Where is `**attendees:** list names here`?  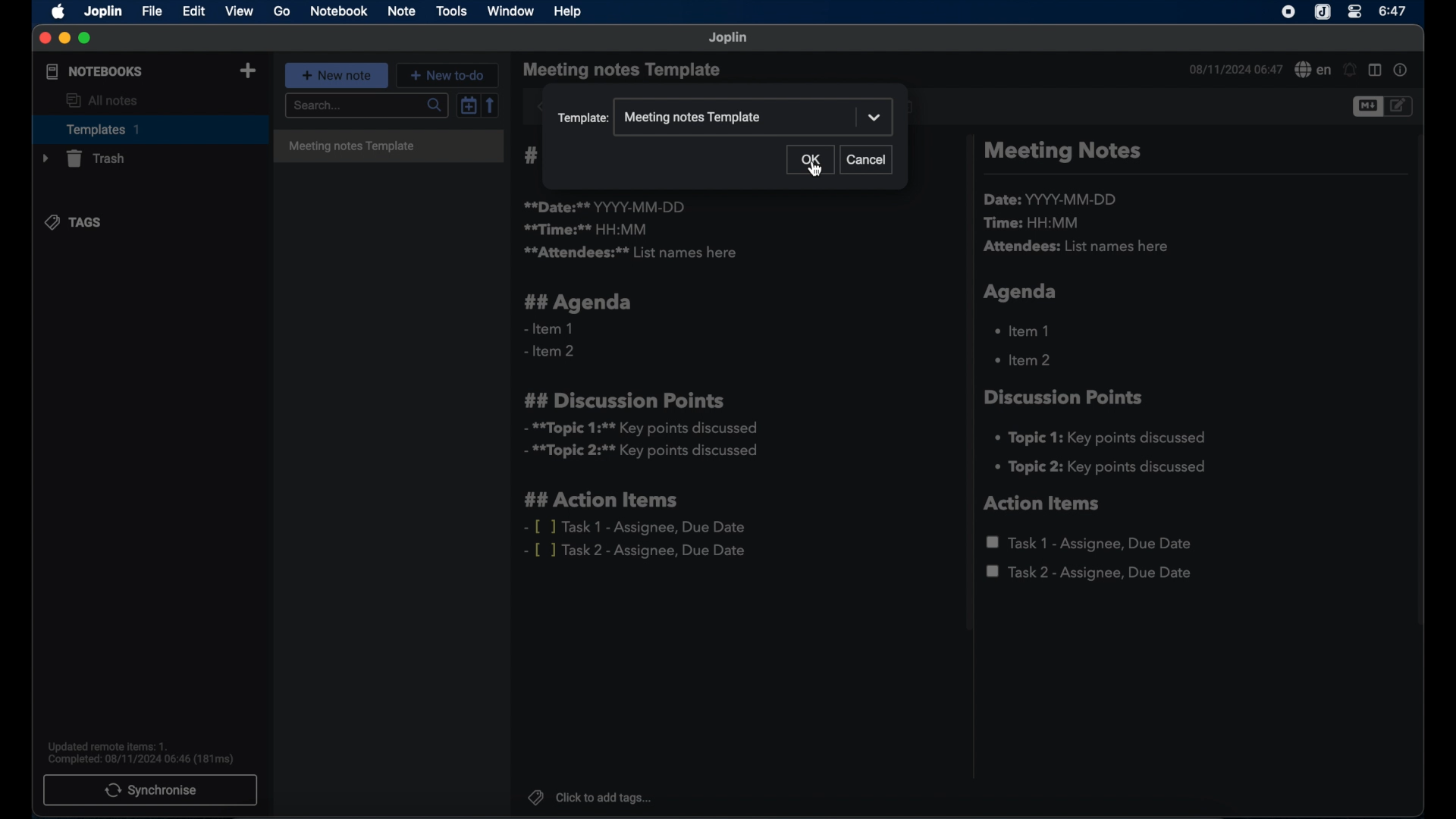 **attendees:** list names here is located at coordinates (629, 253).